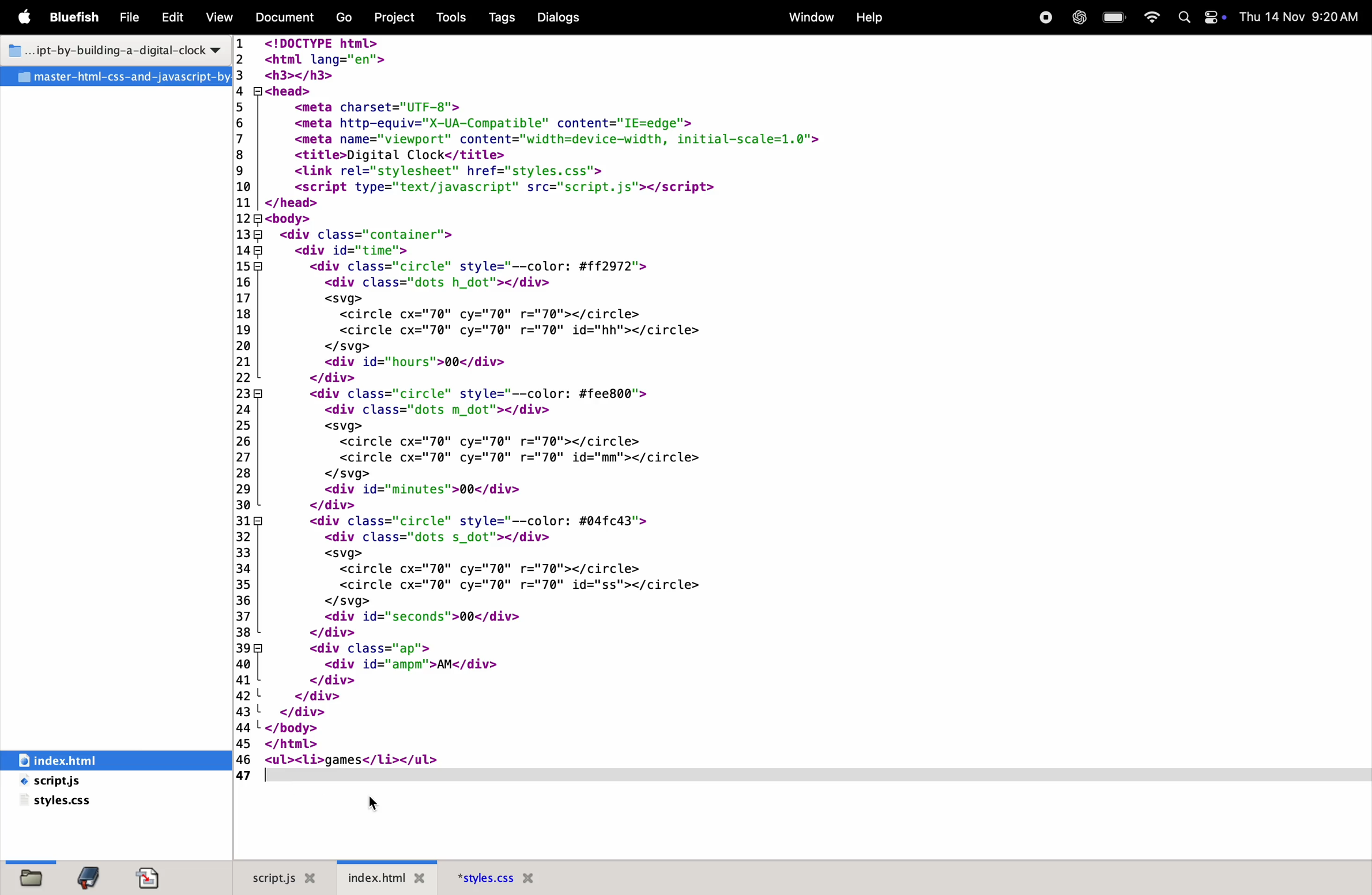 The height and width of the screenshot is (895, 1372). Describe the element at coordinates (1299, 16) in the screenshot. I see `date and time` at that location.